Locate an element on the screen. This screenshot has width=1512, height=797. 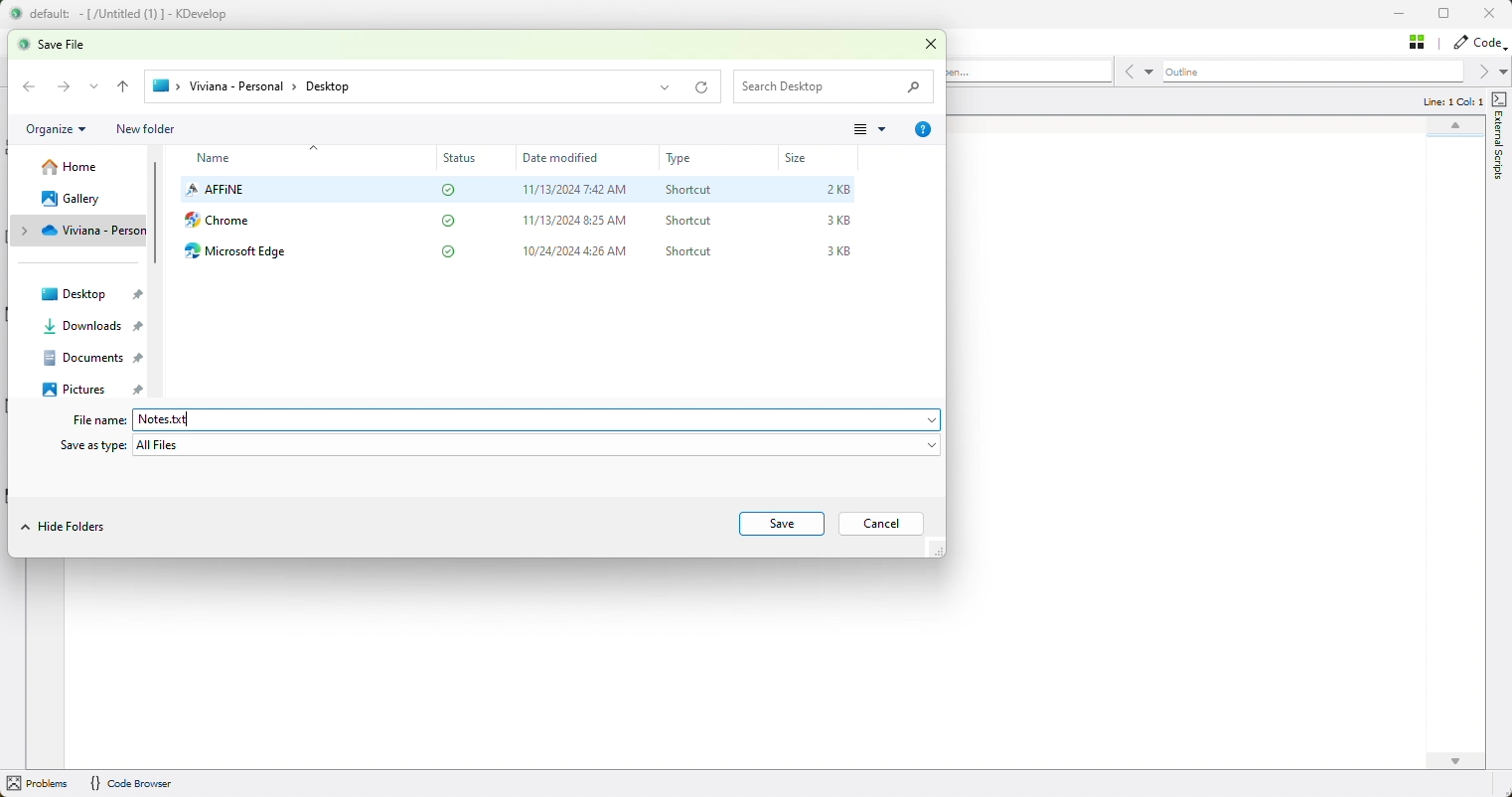
search desktop is located at coordinates (836, 89).